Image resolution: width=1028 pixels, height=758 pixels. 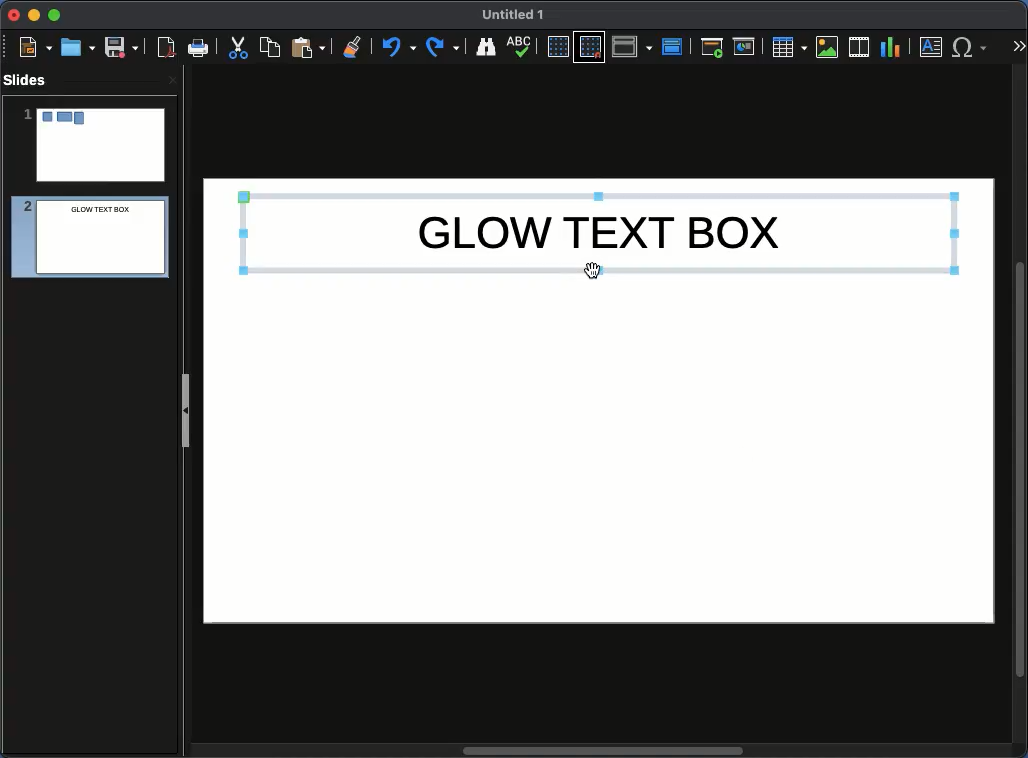 I want to click on Spell check, so click(x=521, y=48).